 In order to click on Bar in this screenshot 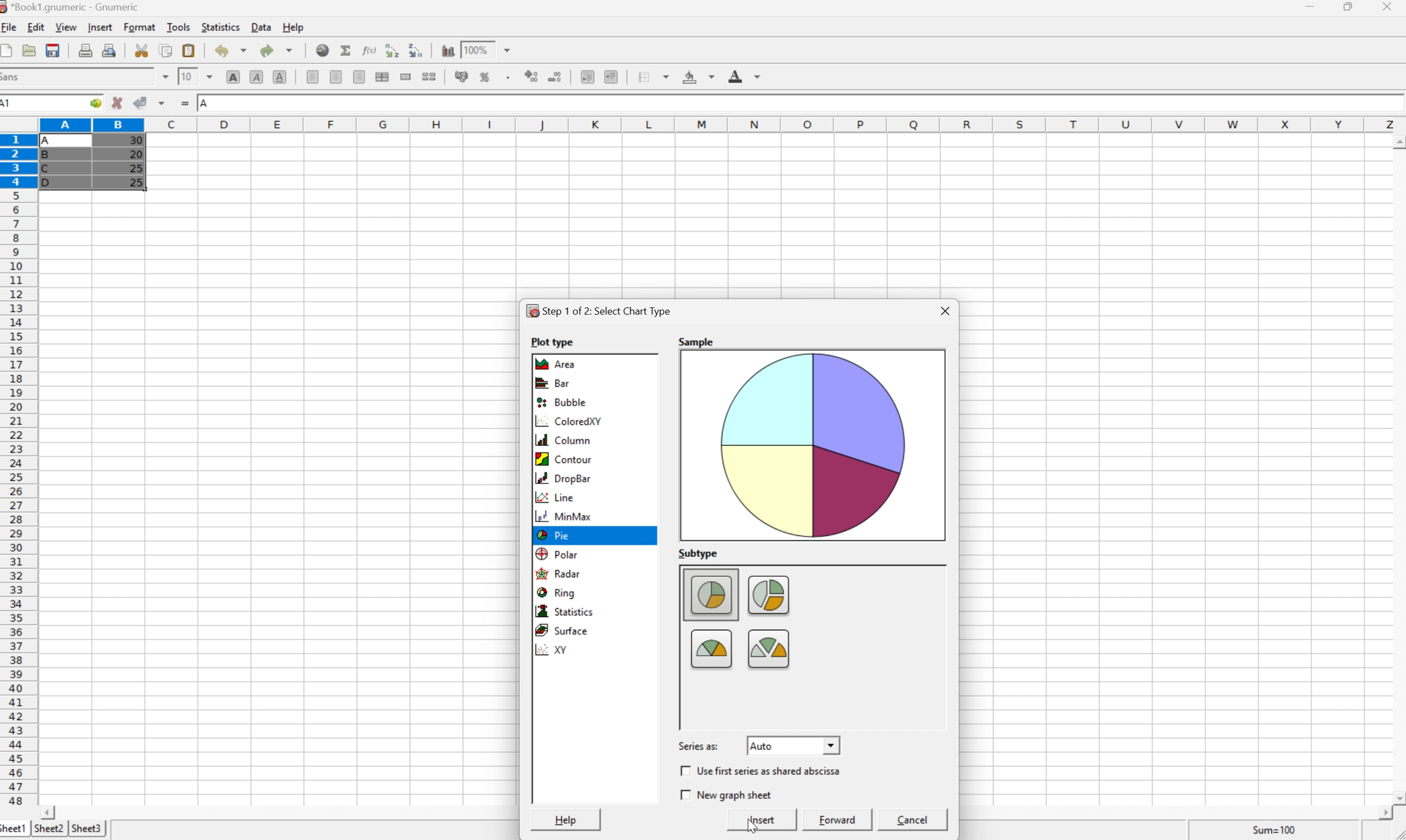, I will do `click(554, 382)`.